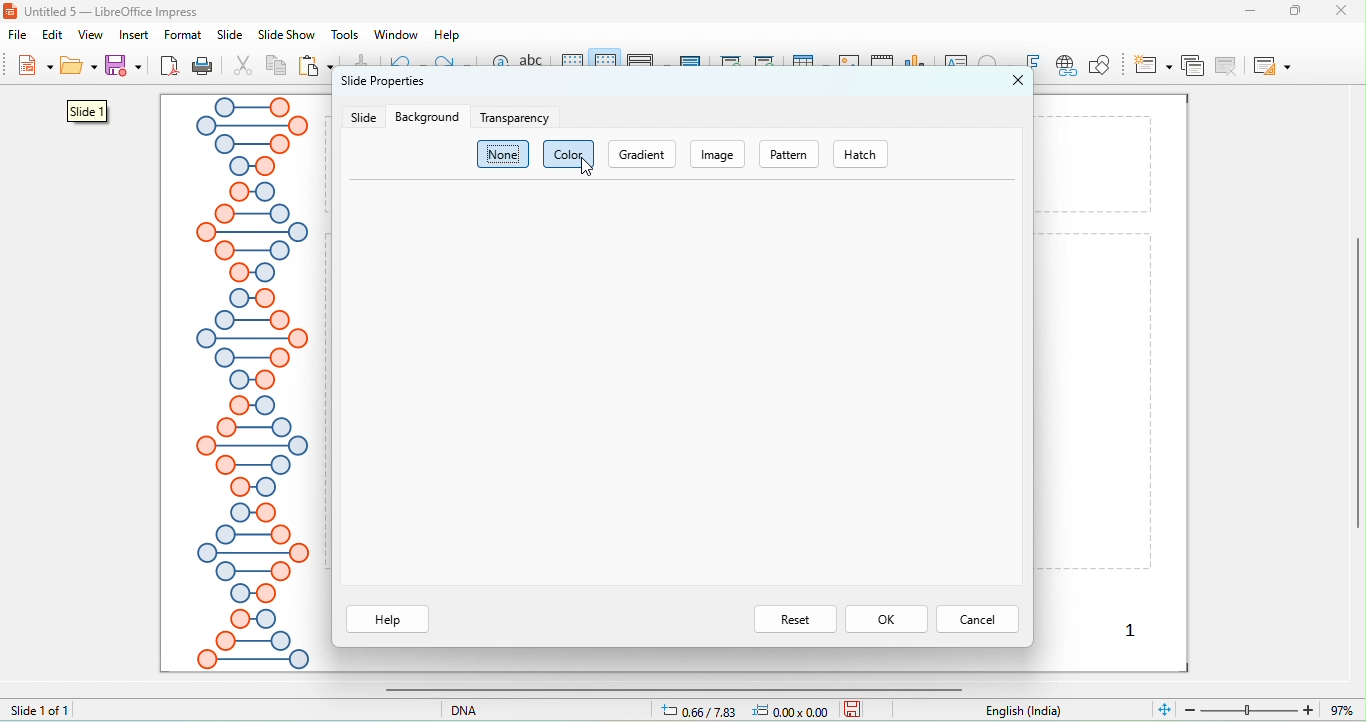 The width and height of the screenshot is (1366, 722). I want to click on remove slide, so click(1229, 65).